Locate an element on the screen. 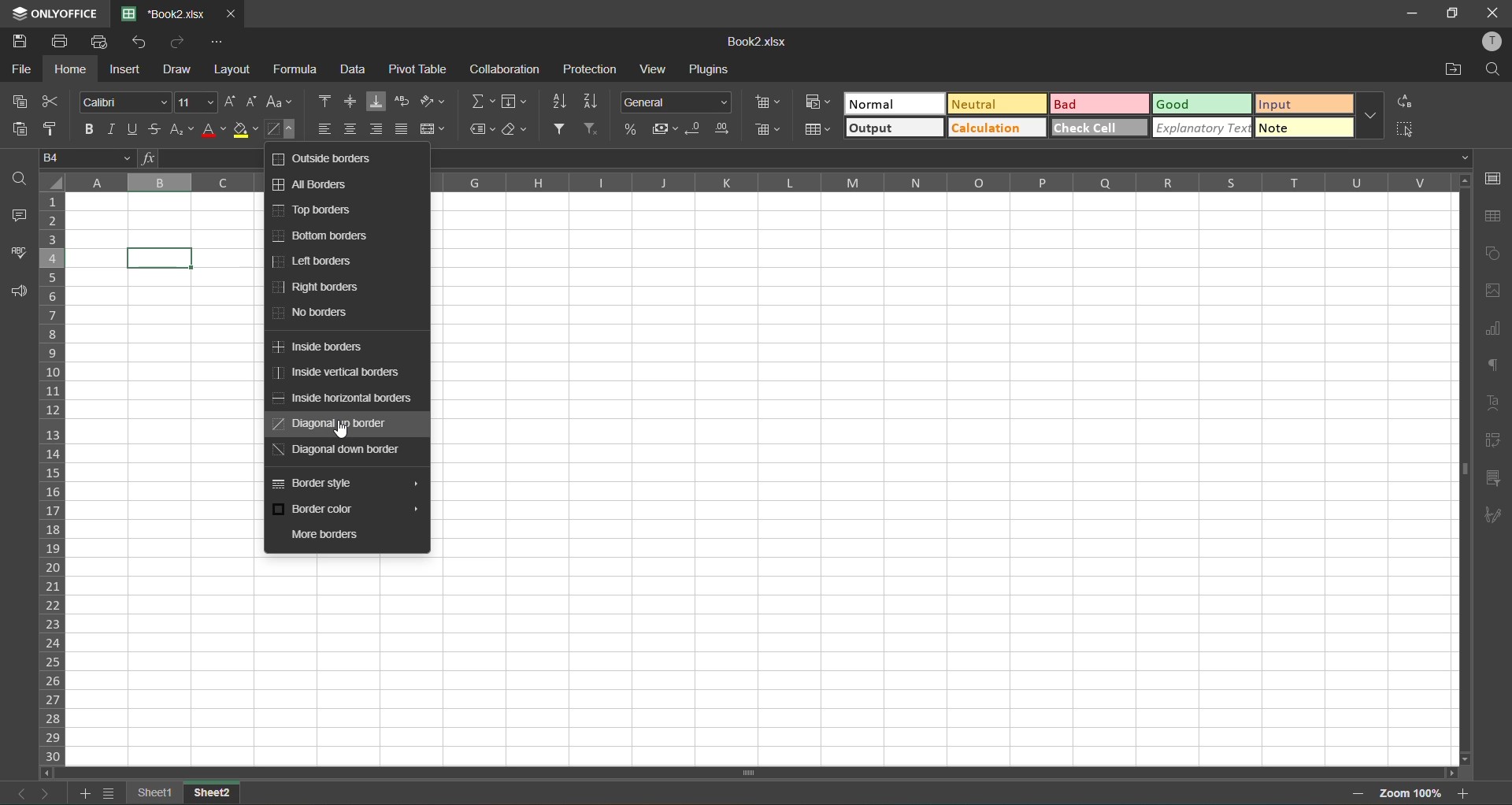 The image size is (1512, 805). cursor is located at coordinates (344, 432).